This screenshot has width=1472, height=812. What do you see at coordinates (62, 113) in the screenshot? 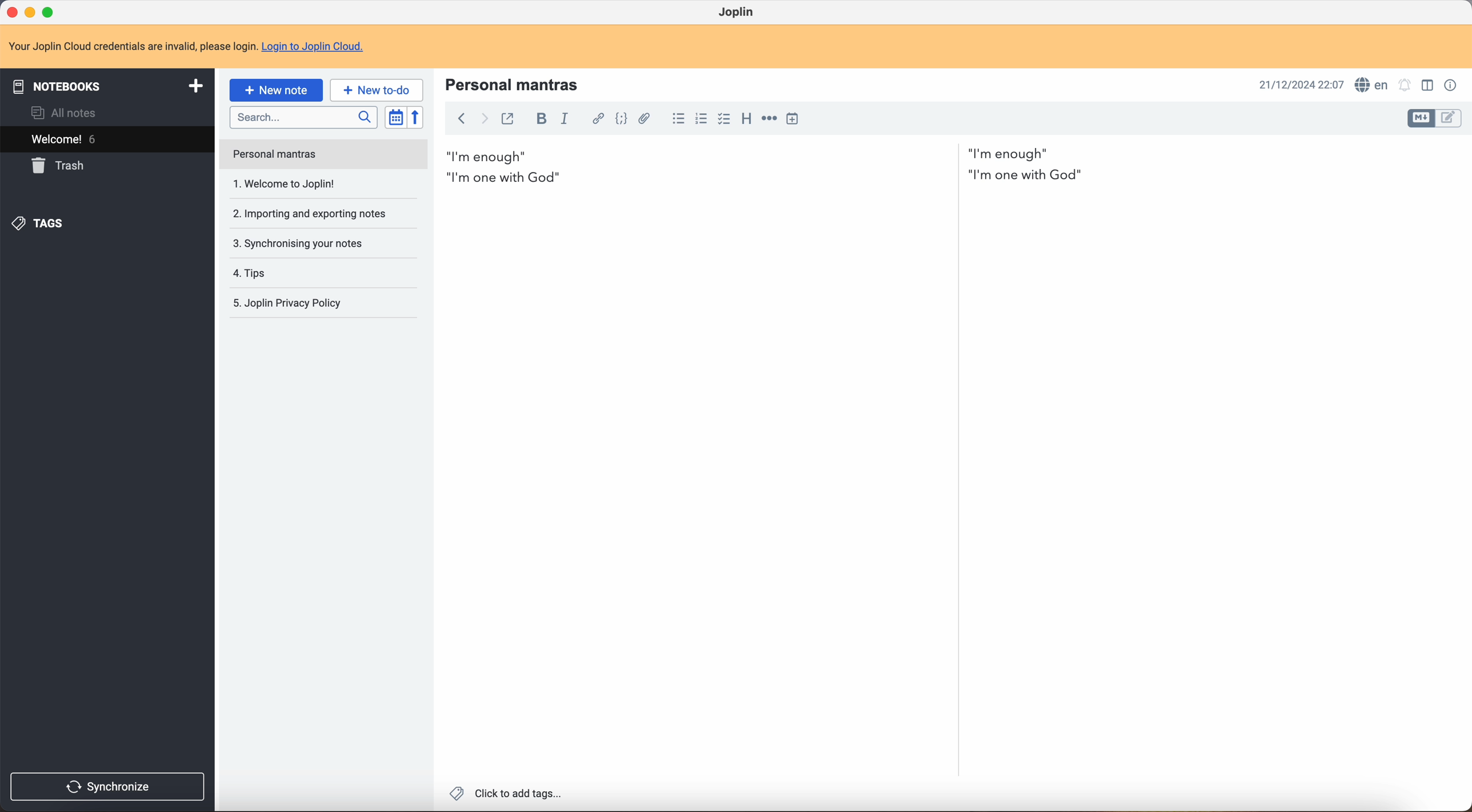
I see `all notes` at bounding box center [62, 113].